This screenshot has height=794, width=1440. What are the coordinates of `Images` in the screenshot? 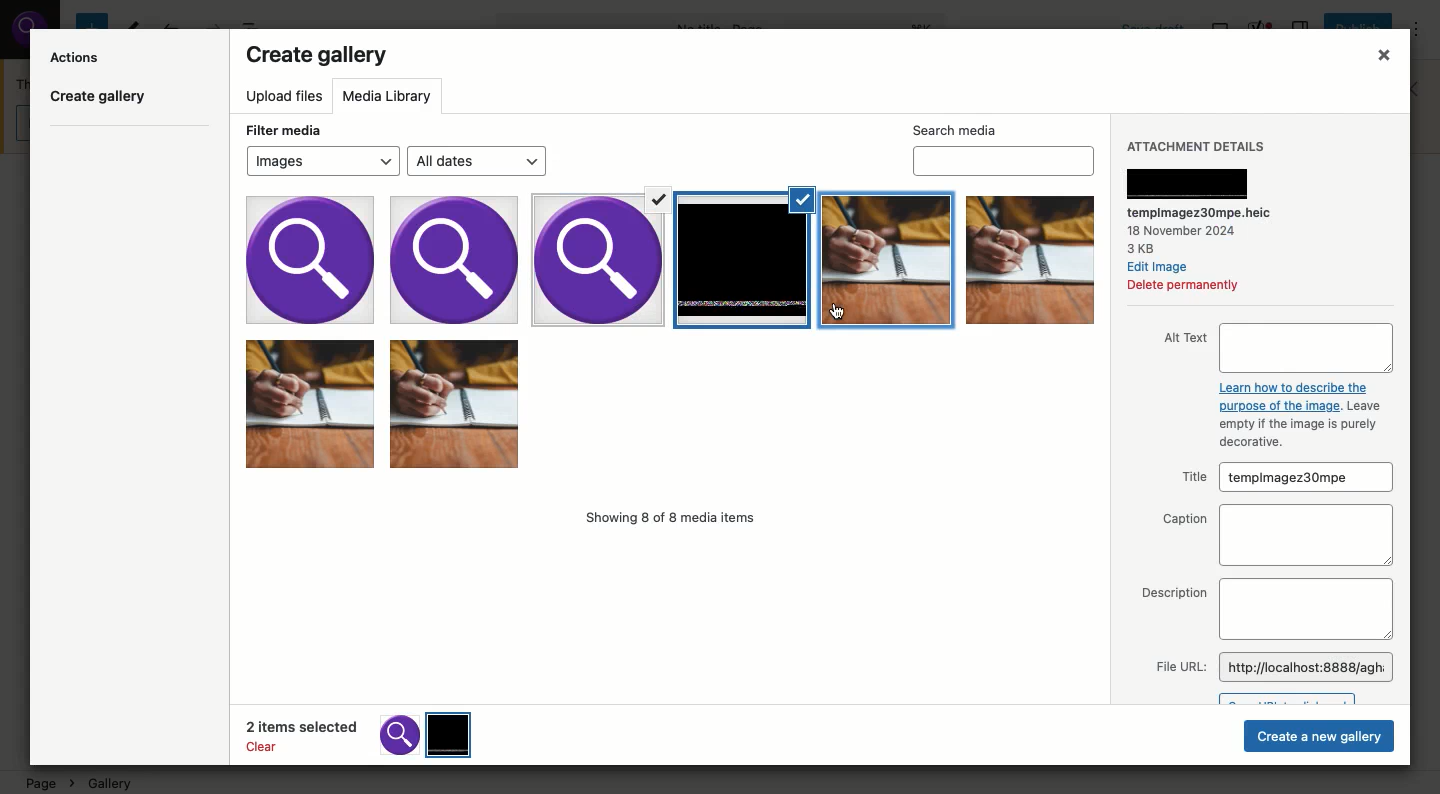 It's located at (322, 160).